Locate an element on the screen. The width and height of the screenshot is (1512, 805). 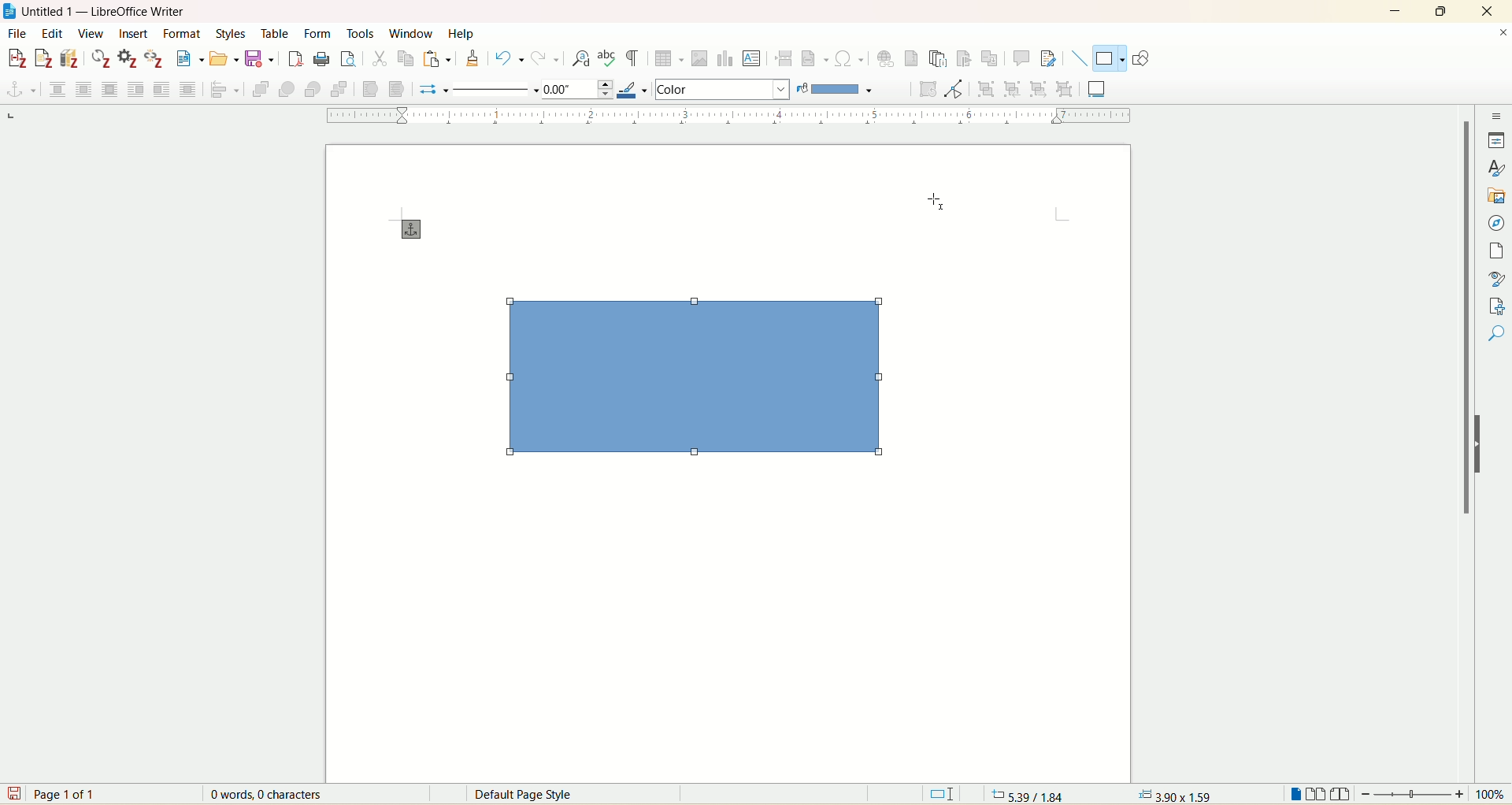
exit group is located at coordinates (1040, 88).